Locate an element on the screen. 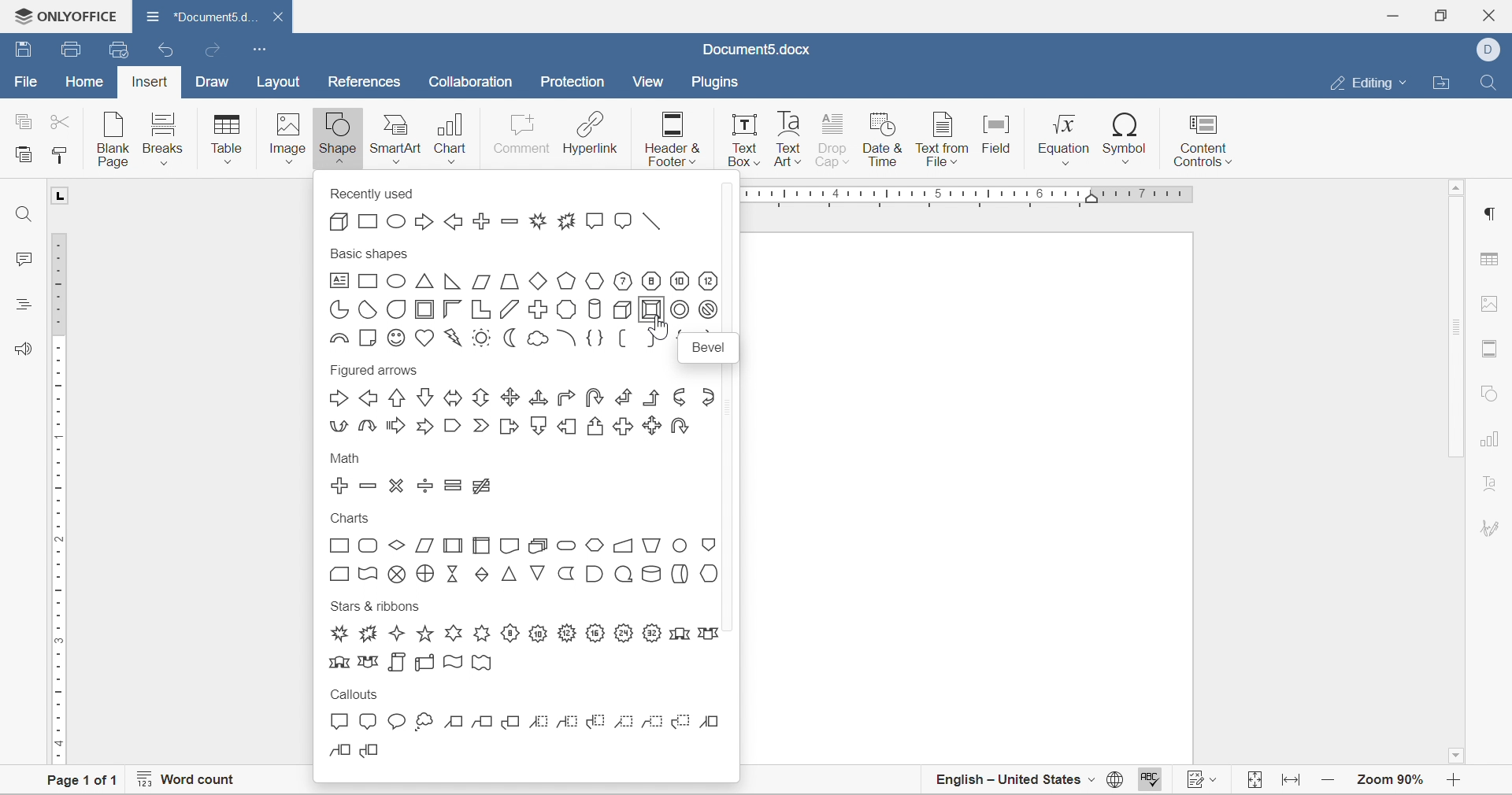 The height and width of the screenshot is (795, 1512). text art is located at coordinates (787, 139).